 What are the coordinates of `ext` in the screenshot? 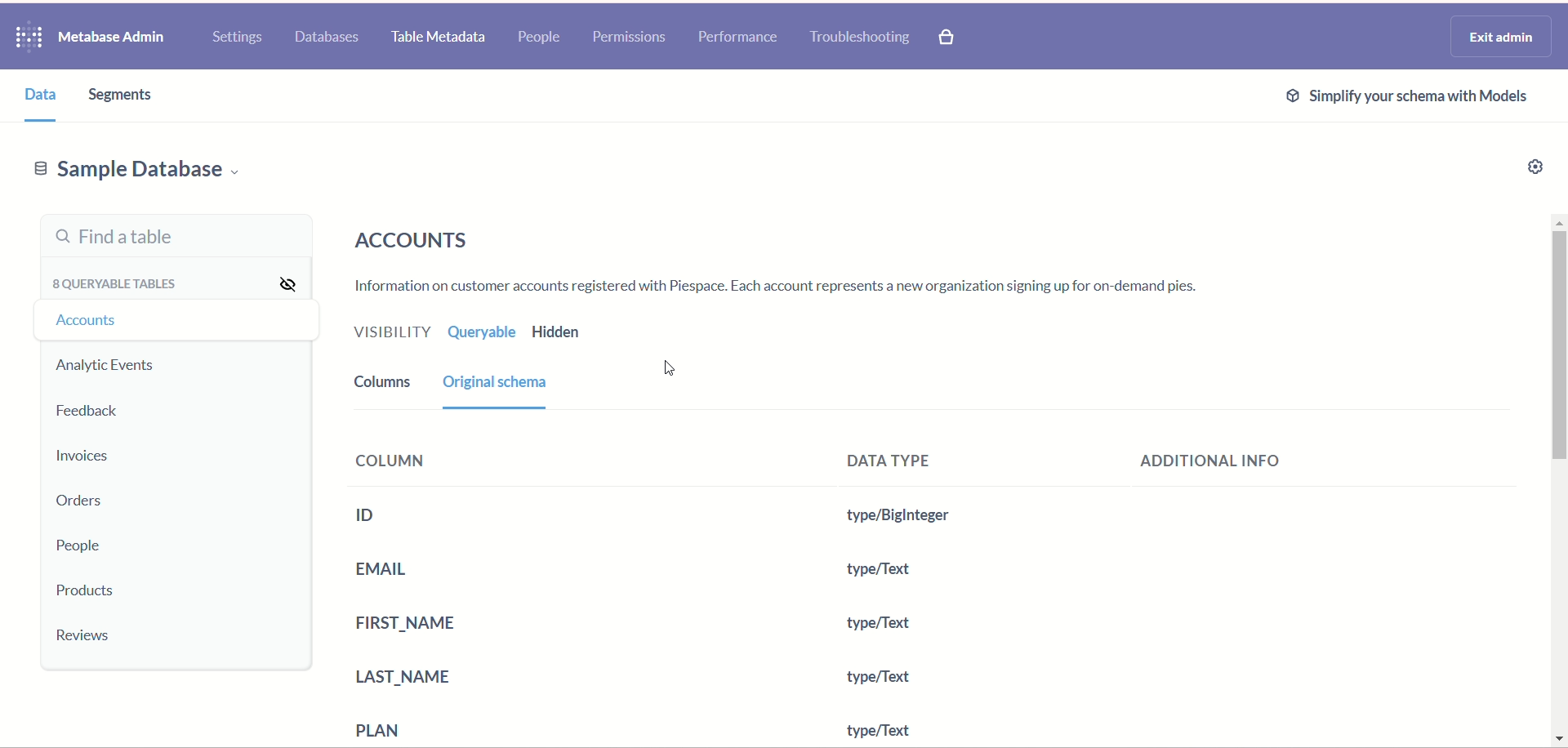 It's located at (1407, 95).